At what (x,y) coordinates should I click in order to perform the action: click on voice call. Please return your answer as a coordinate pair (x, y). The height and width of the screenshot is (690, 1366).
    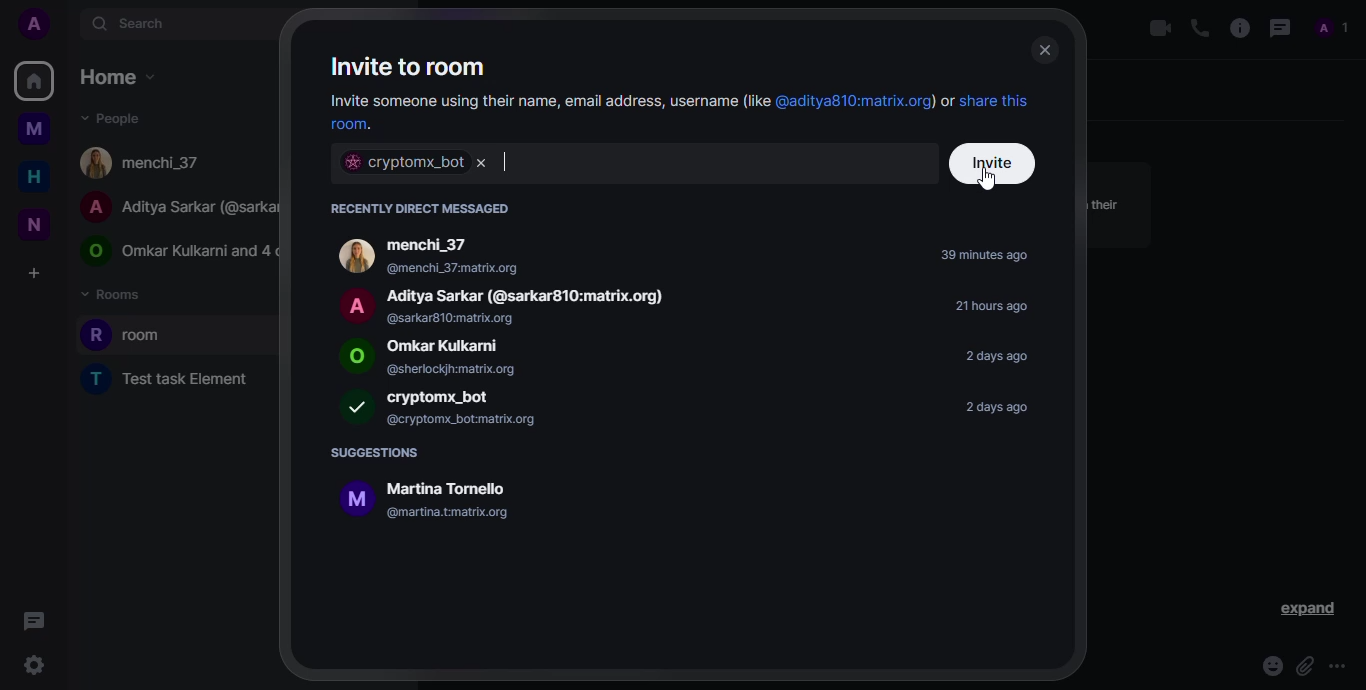
    Looking at the image, I should click on (1199, 28).